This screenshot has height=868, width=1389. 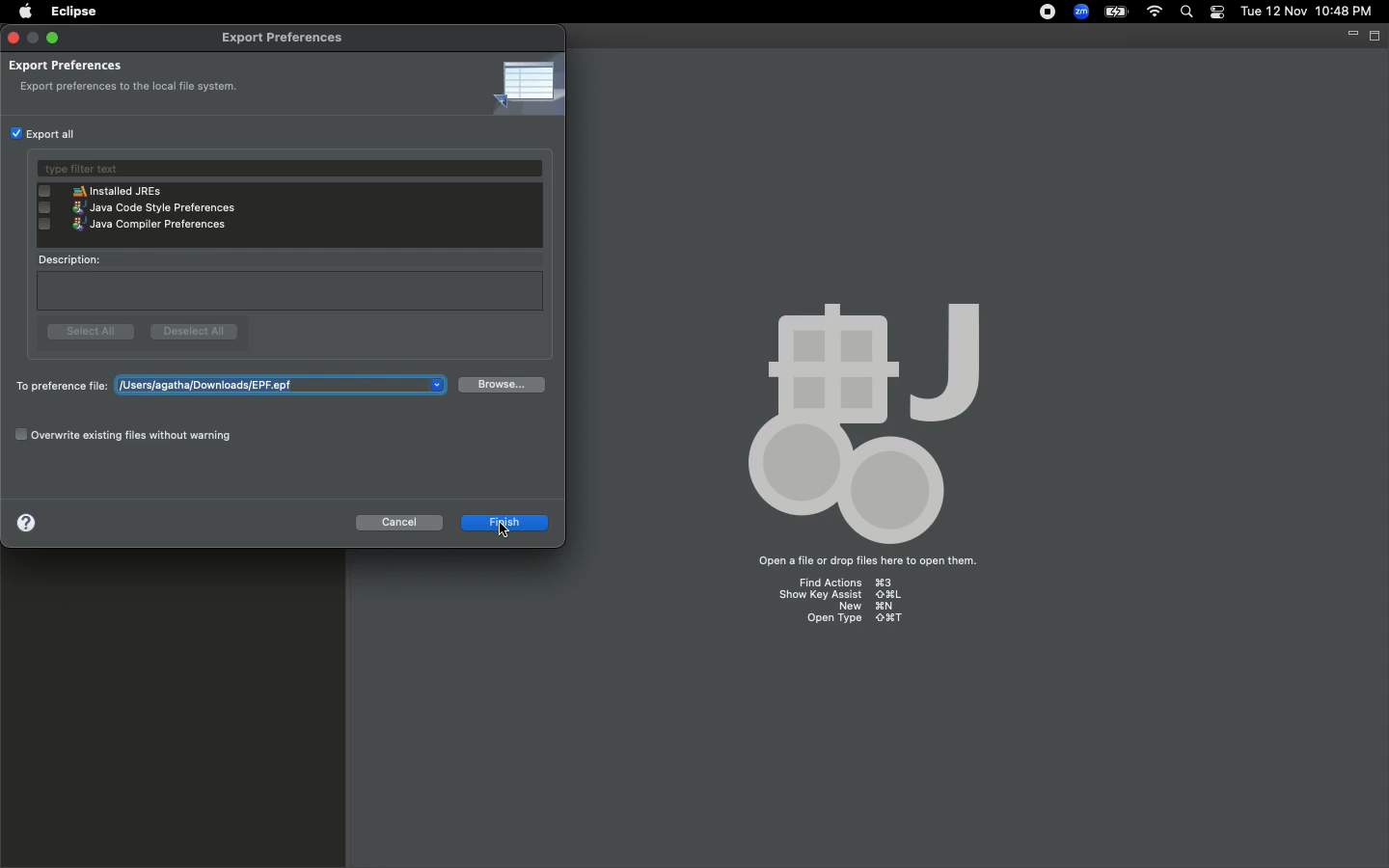 I want to click on Overwrite existing files without warning, so click(x=143, y=437).